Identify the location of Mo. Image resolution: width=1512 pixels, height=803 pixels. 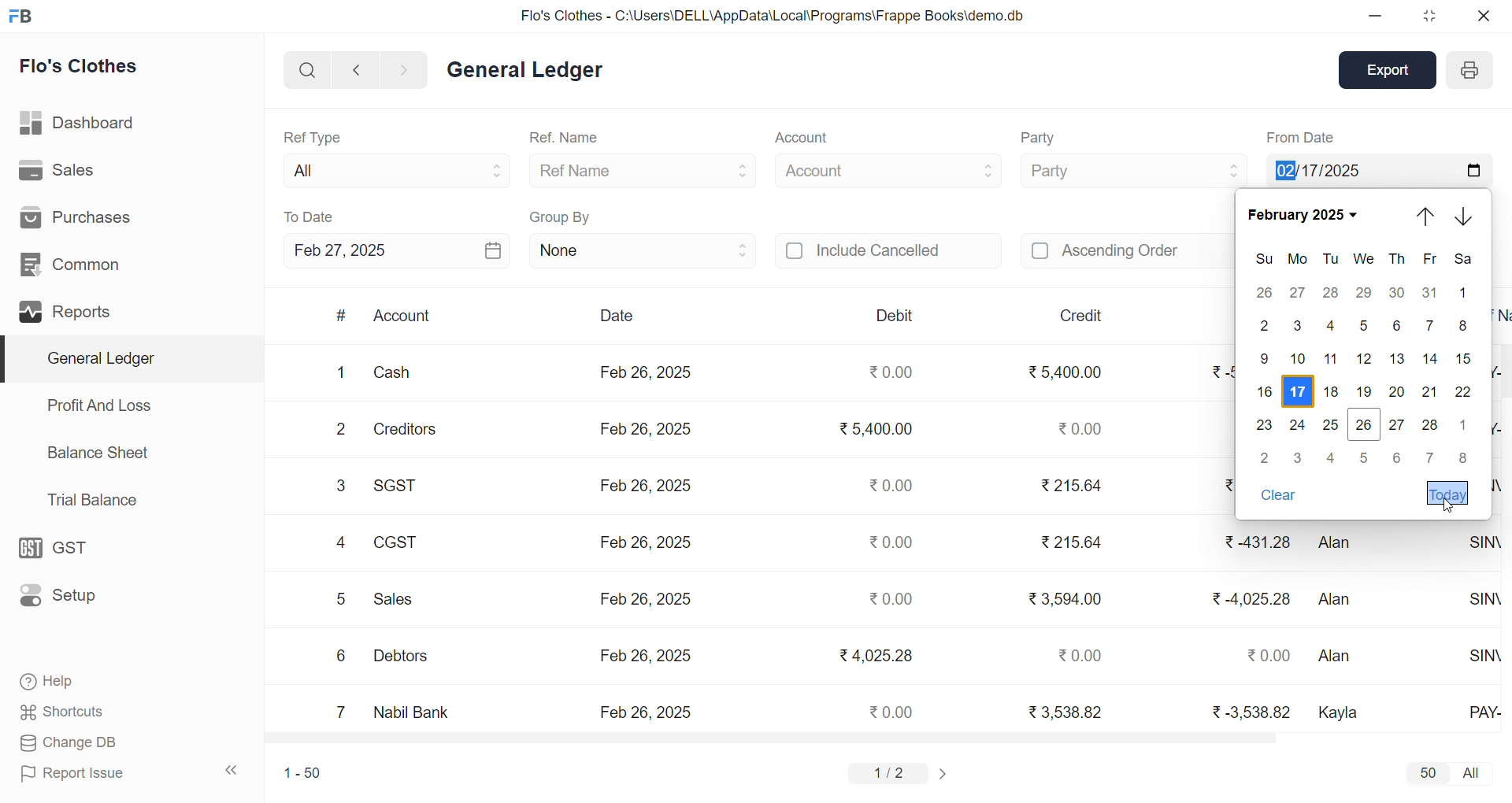
(1295, 260).